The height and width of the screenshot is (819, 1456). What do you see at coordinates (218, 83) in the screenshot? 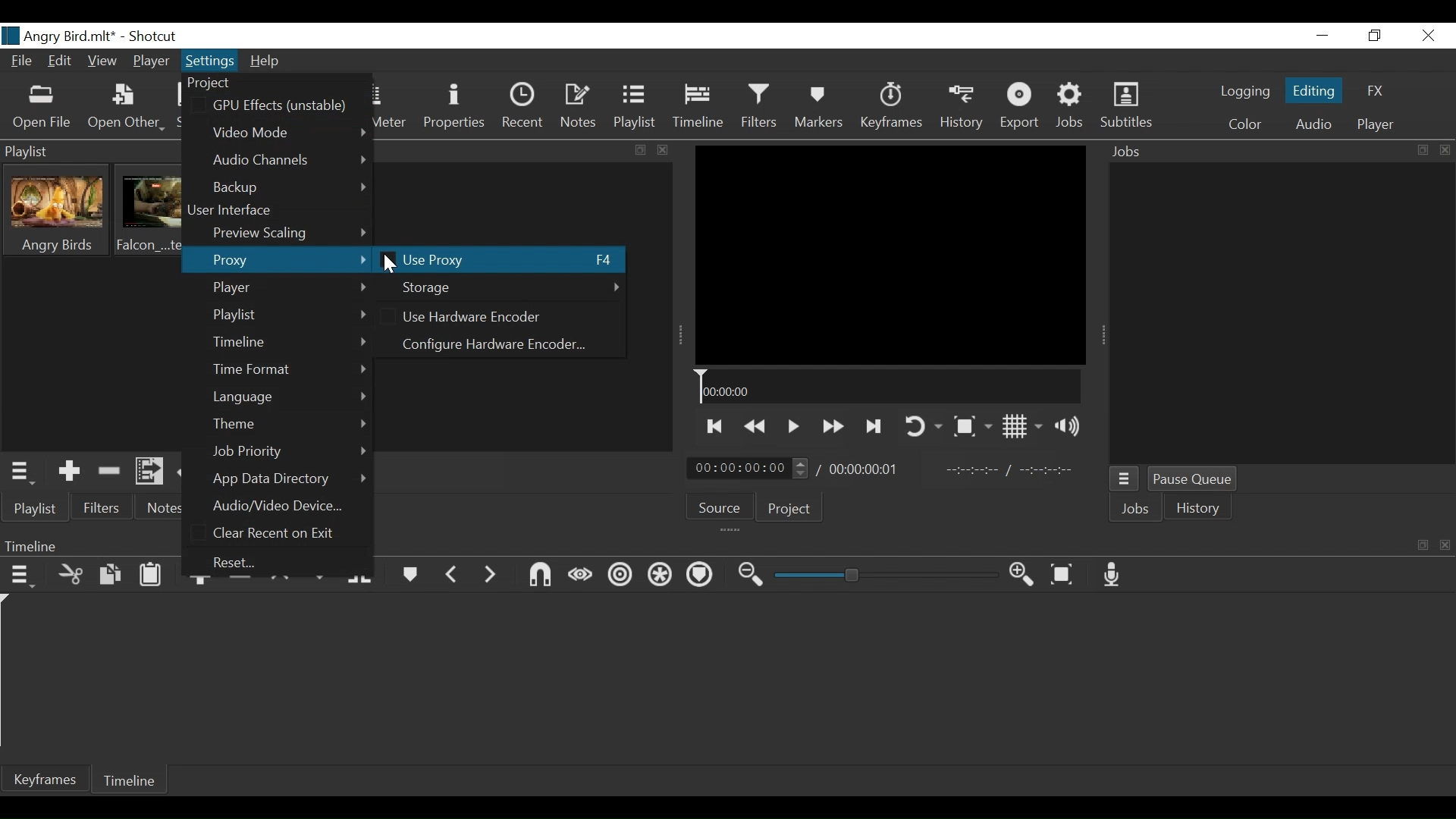
I see `Project` at bounding box center [218, 83].